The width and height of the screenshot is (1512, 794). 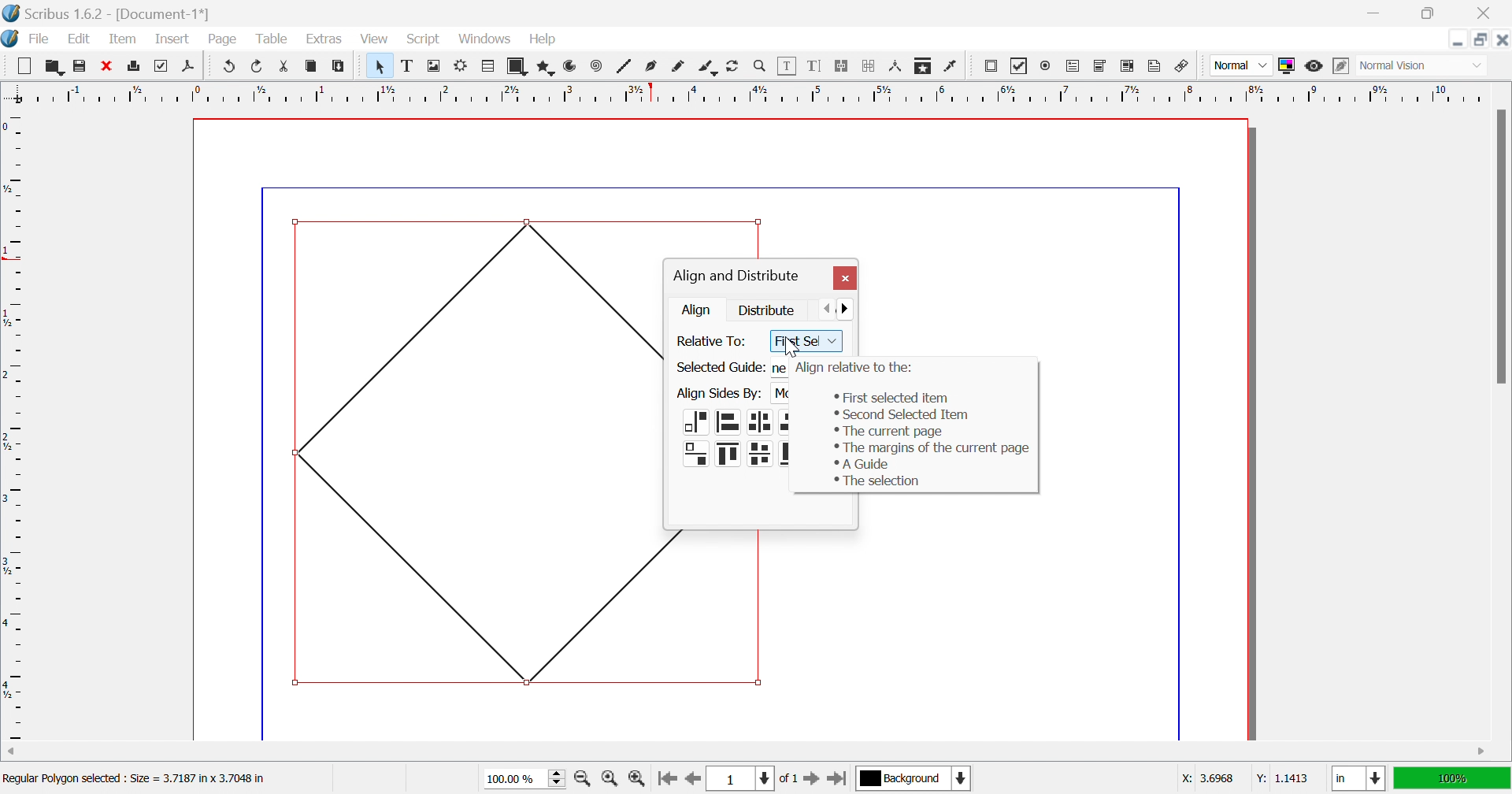 I want to click on Copy, so click(x=311, y=65).